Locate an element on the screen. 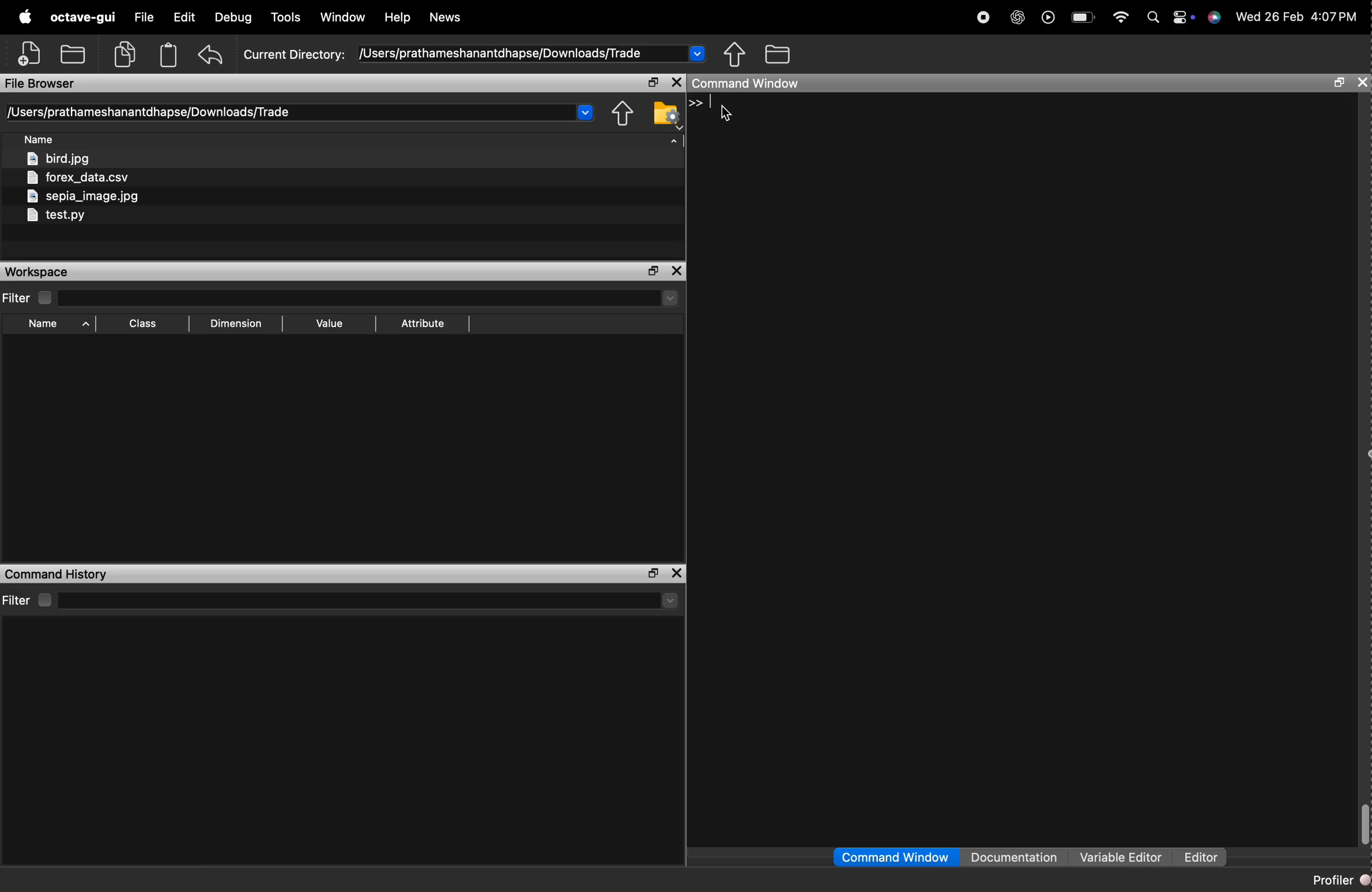 This screenshot has height=892, width=1372. cursor is located at coordinates (728, 113).